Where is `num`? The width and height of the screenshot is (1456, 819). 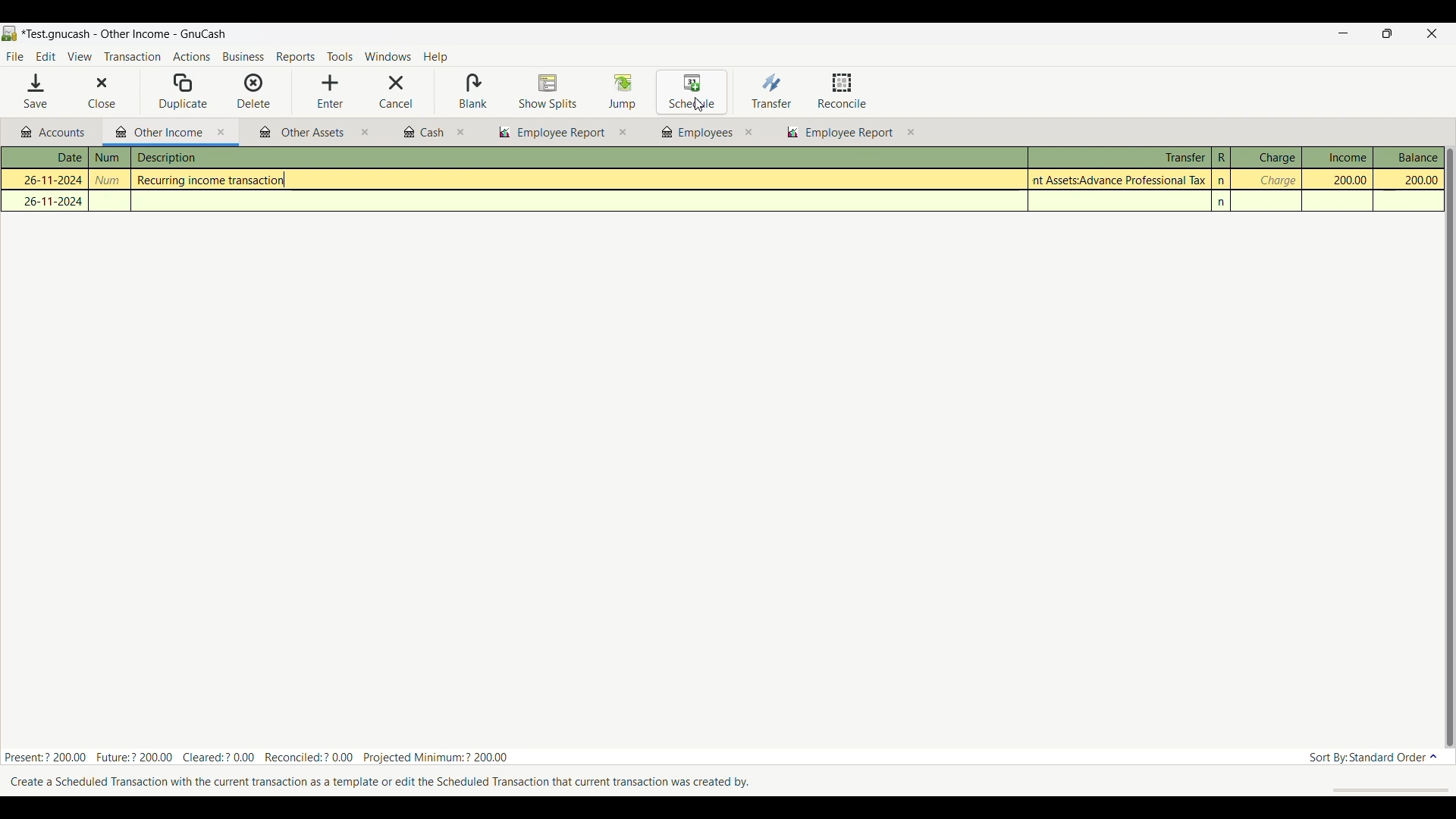
num is located at coordinates (109, 158).